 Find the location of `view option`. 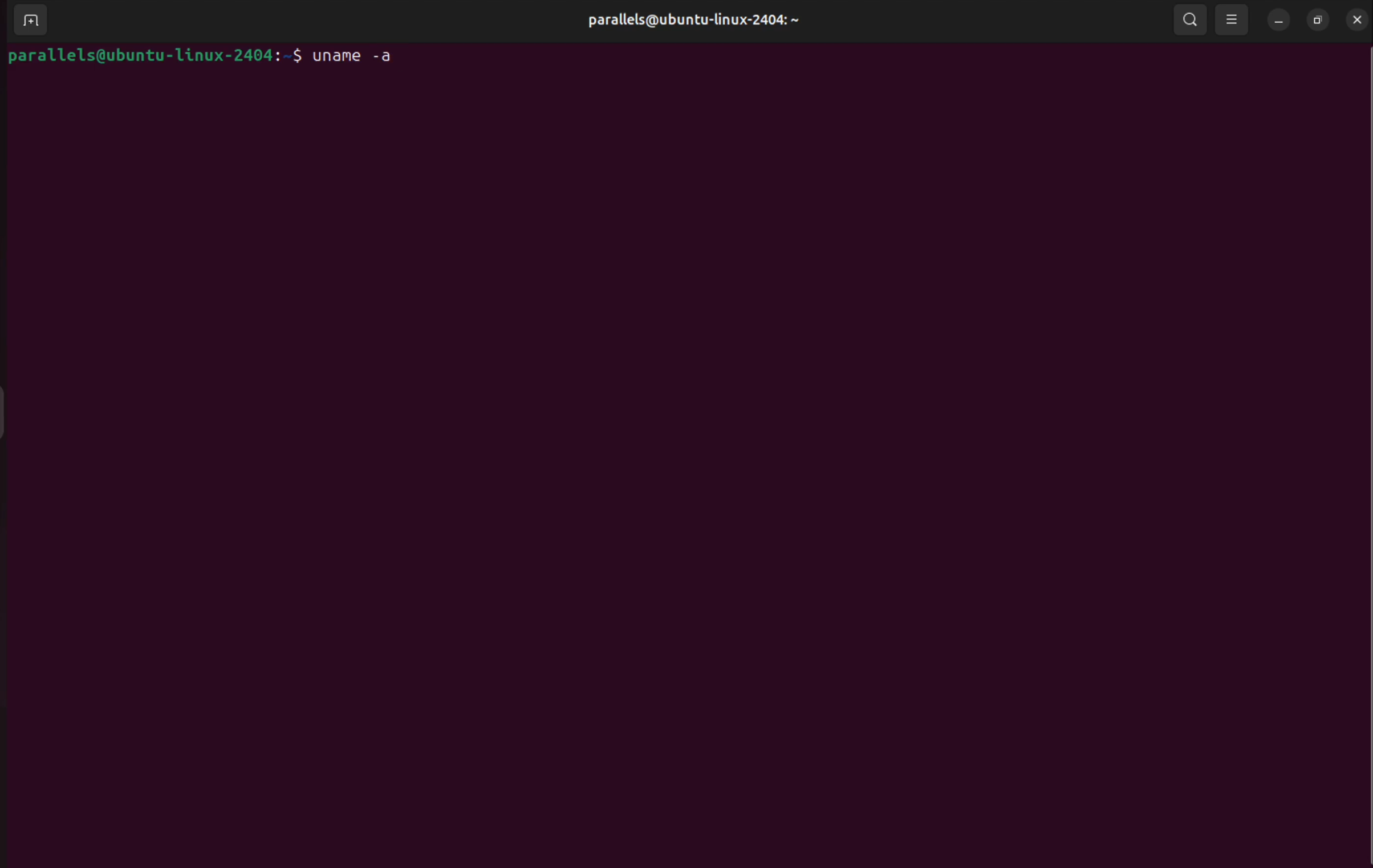

view option is located at coordinates (1233, 21).